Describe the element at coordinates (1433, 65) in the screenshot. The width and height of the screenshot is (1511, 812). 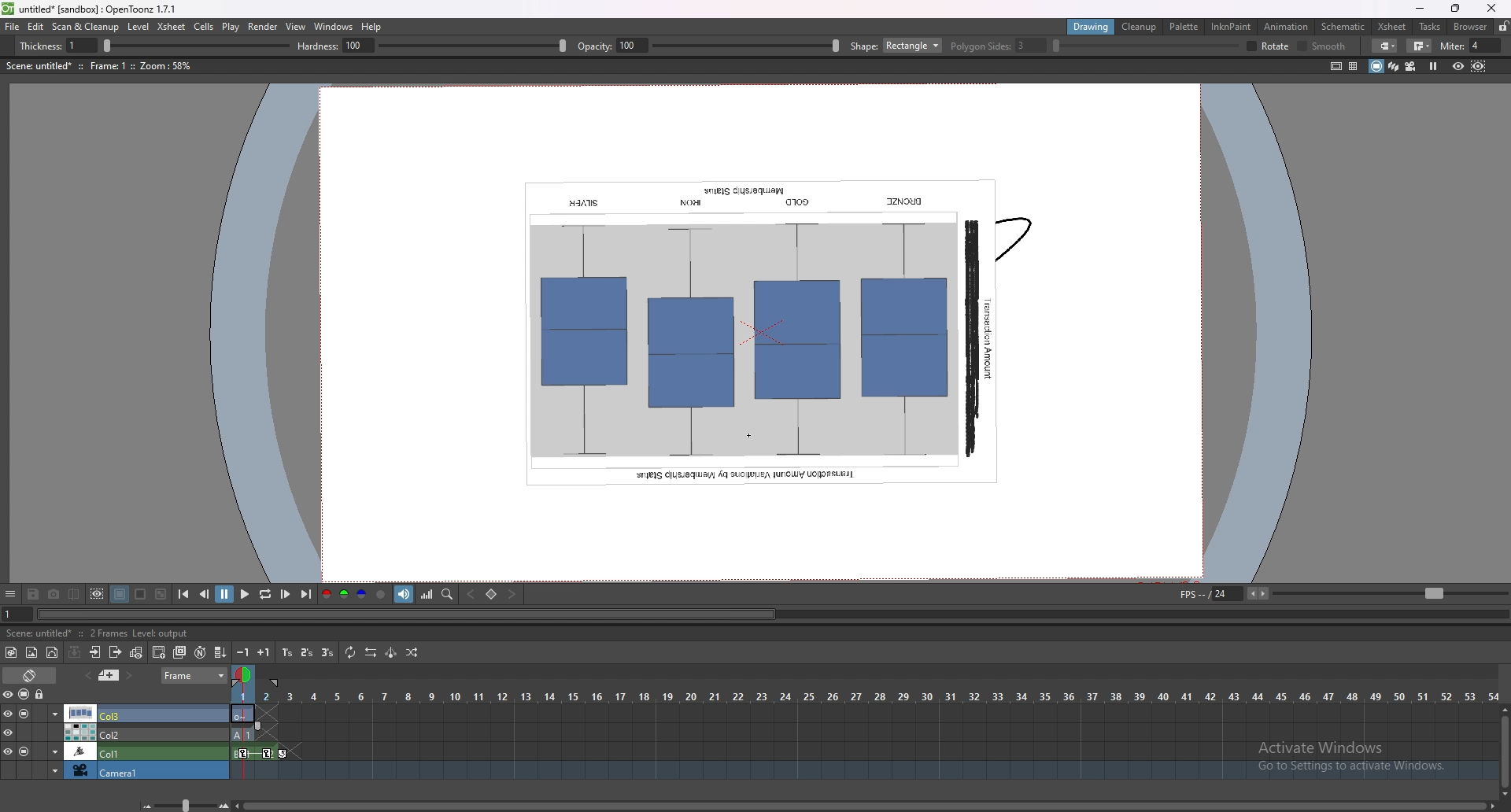
I see `freeze` at that location.